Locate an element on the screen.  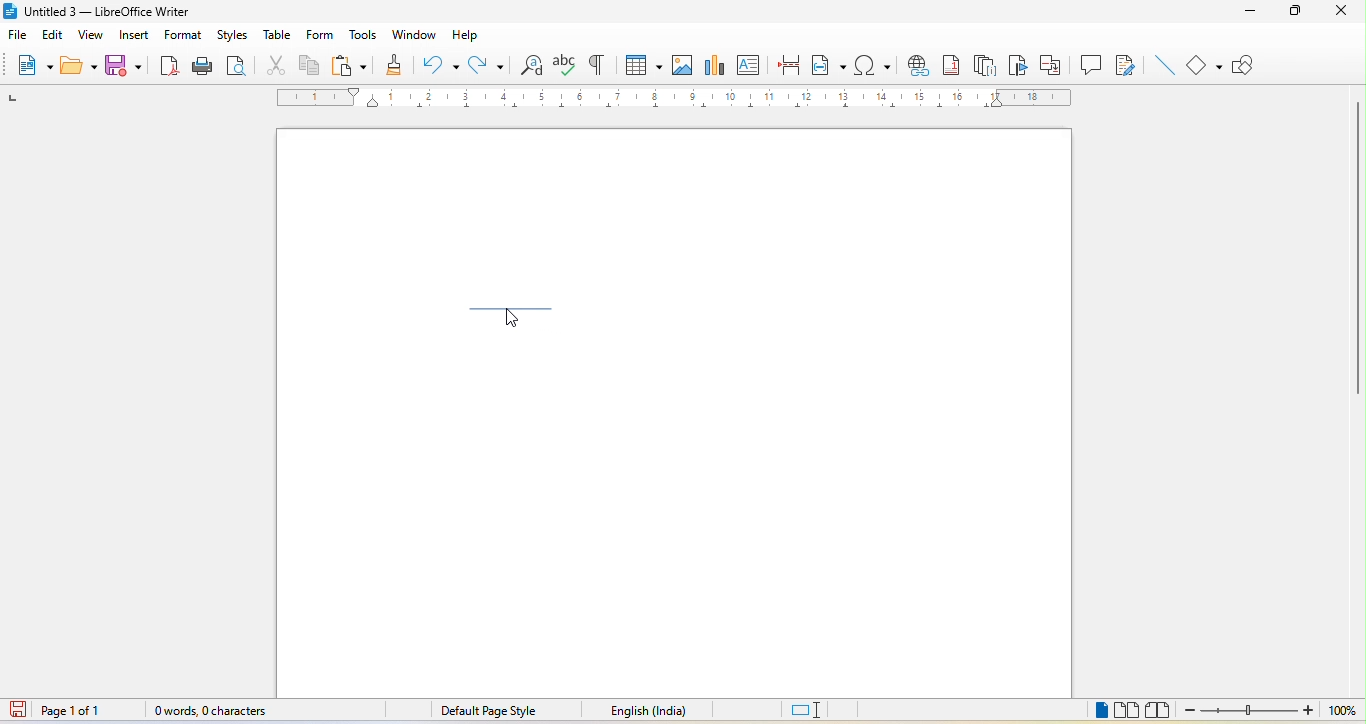
table is located at coordinates (642, 62).